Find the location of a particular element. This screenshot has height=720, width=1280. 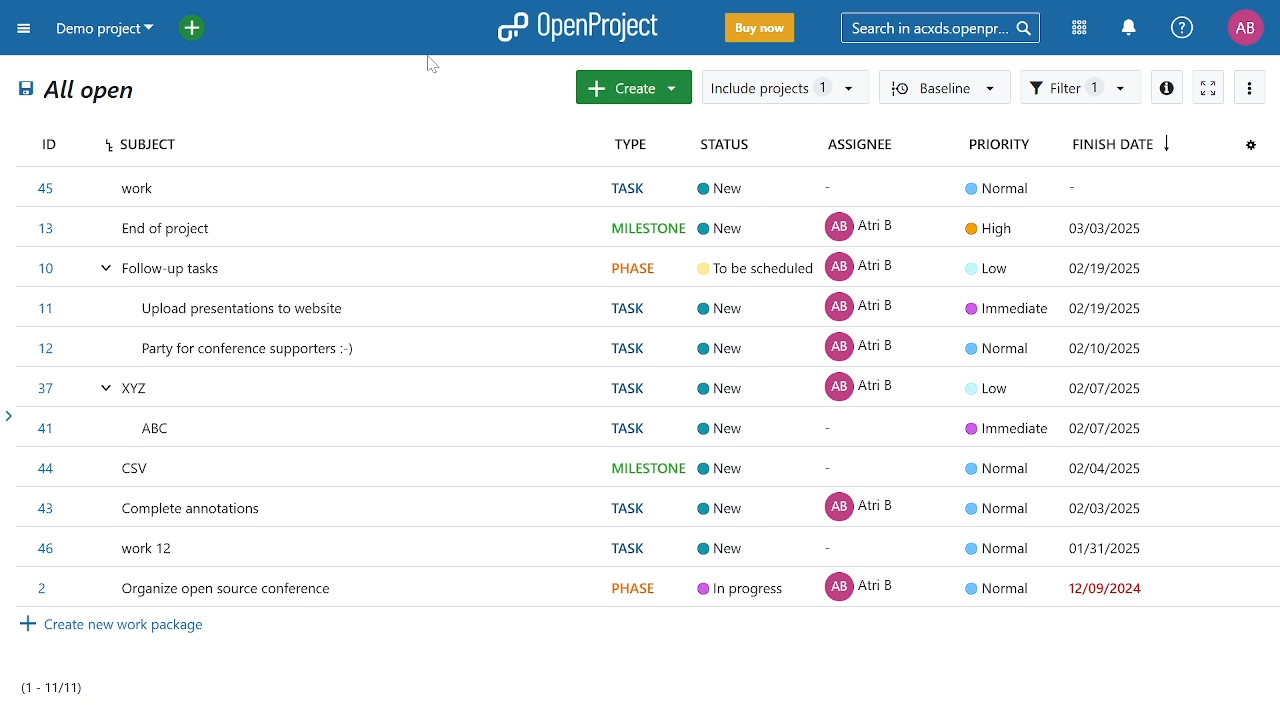

notification center is located at coordinates (1128, 28).